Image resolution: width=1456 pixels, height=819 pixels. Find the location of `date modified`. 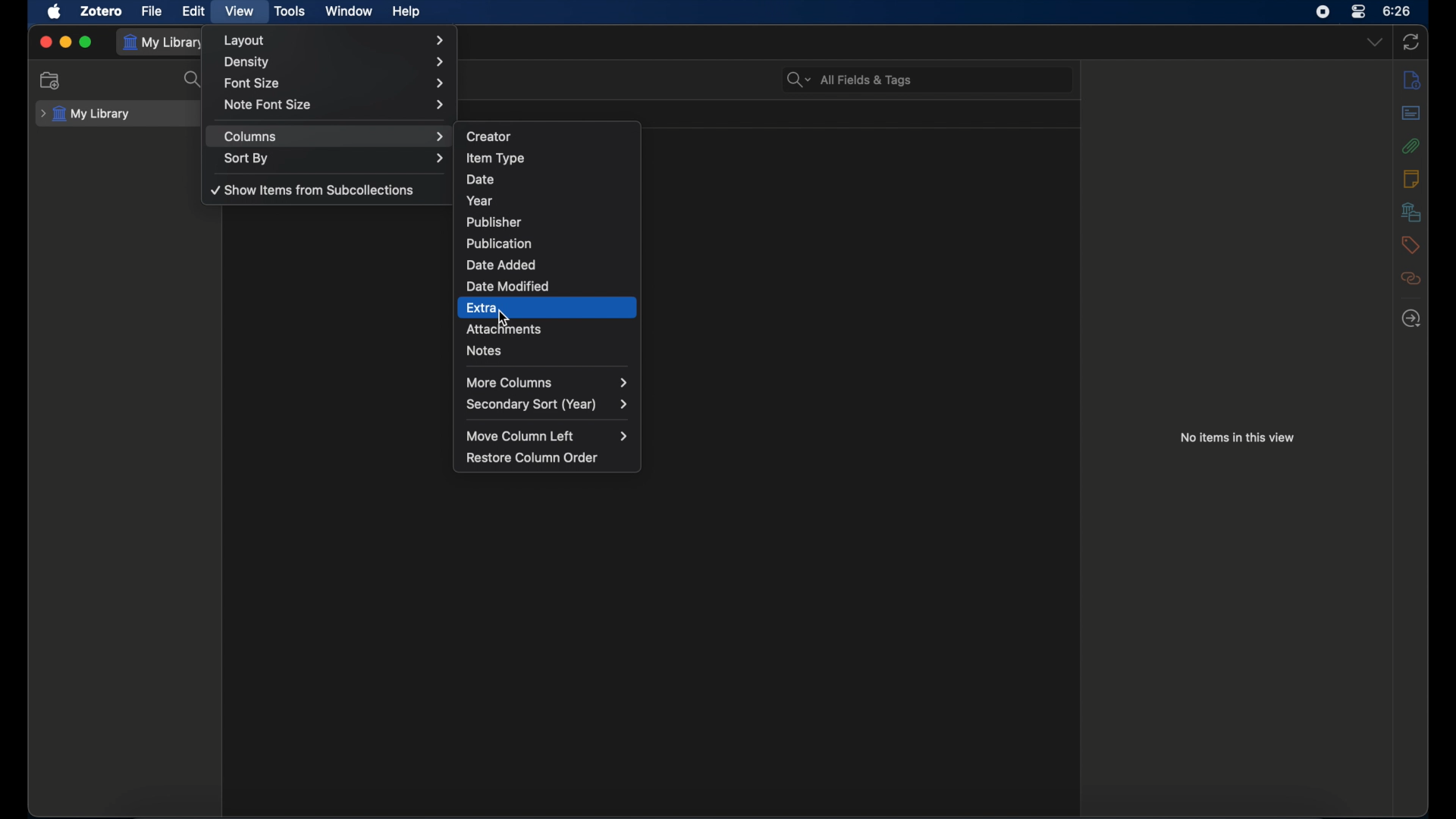

date modified is located at coordinates (549, 285).